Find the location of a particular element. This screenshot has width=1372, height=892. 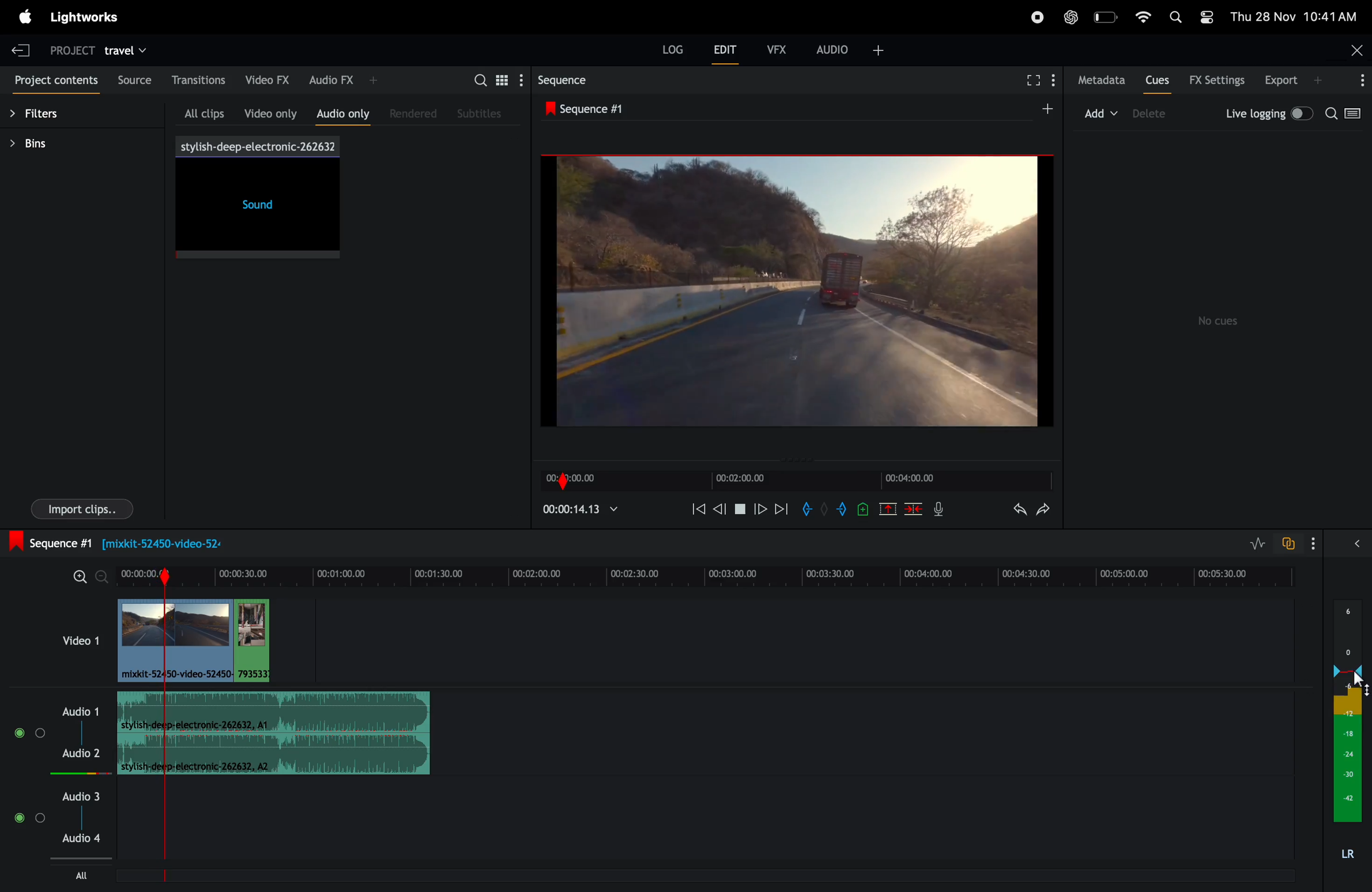

pause play is located at coordinates (740, 507).